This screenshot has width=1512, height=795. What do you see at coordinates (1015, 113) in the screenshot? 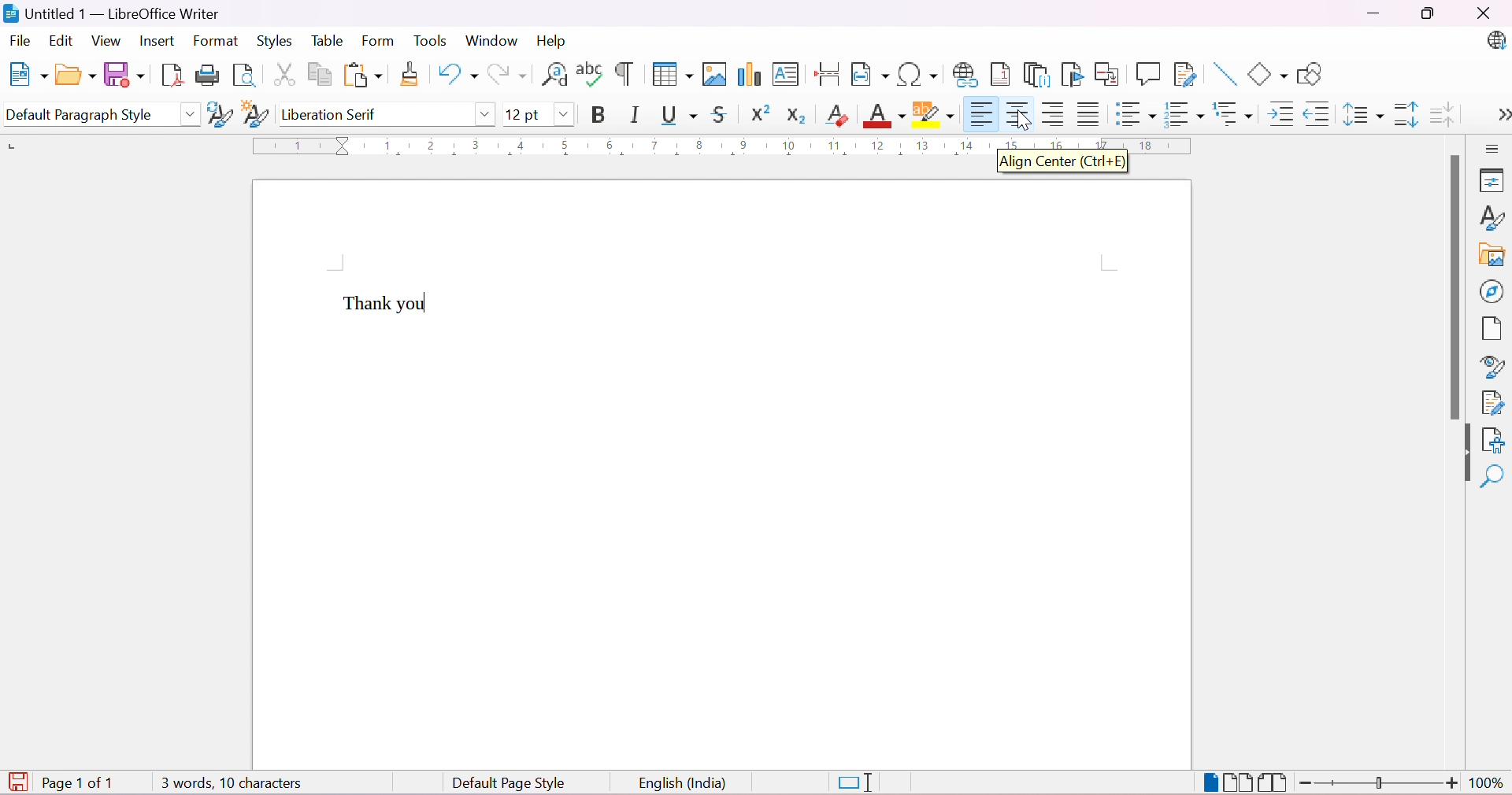
I see `Align Center` at bounding box center [1015, 113].